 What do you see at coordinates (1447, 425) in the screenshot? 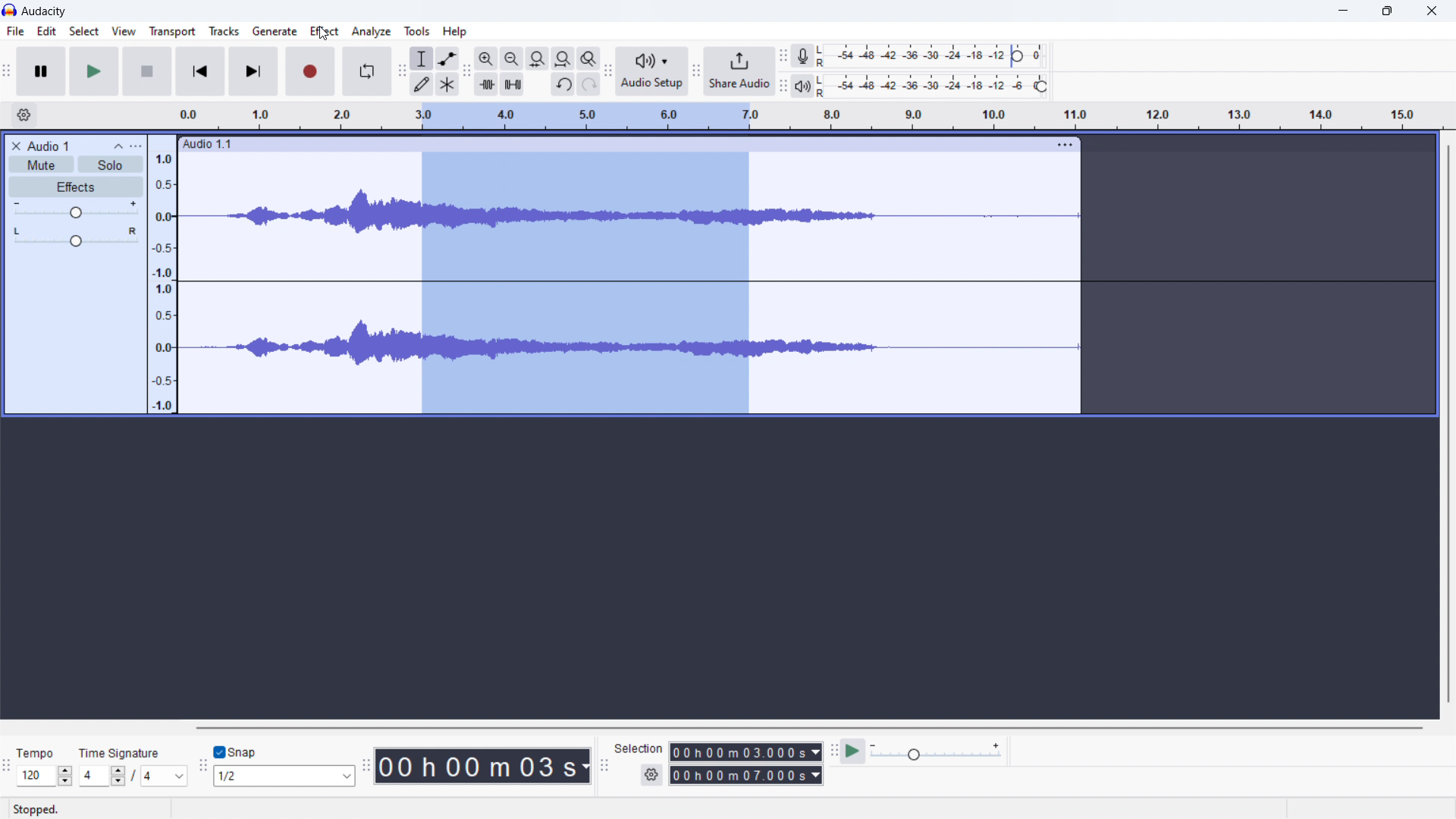
I see `vertical scrollbar` at bounding box center [1447, 425].